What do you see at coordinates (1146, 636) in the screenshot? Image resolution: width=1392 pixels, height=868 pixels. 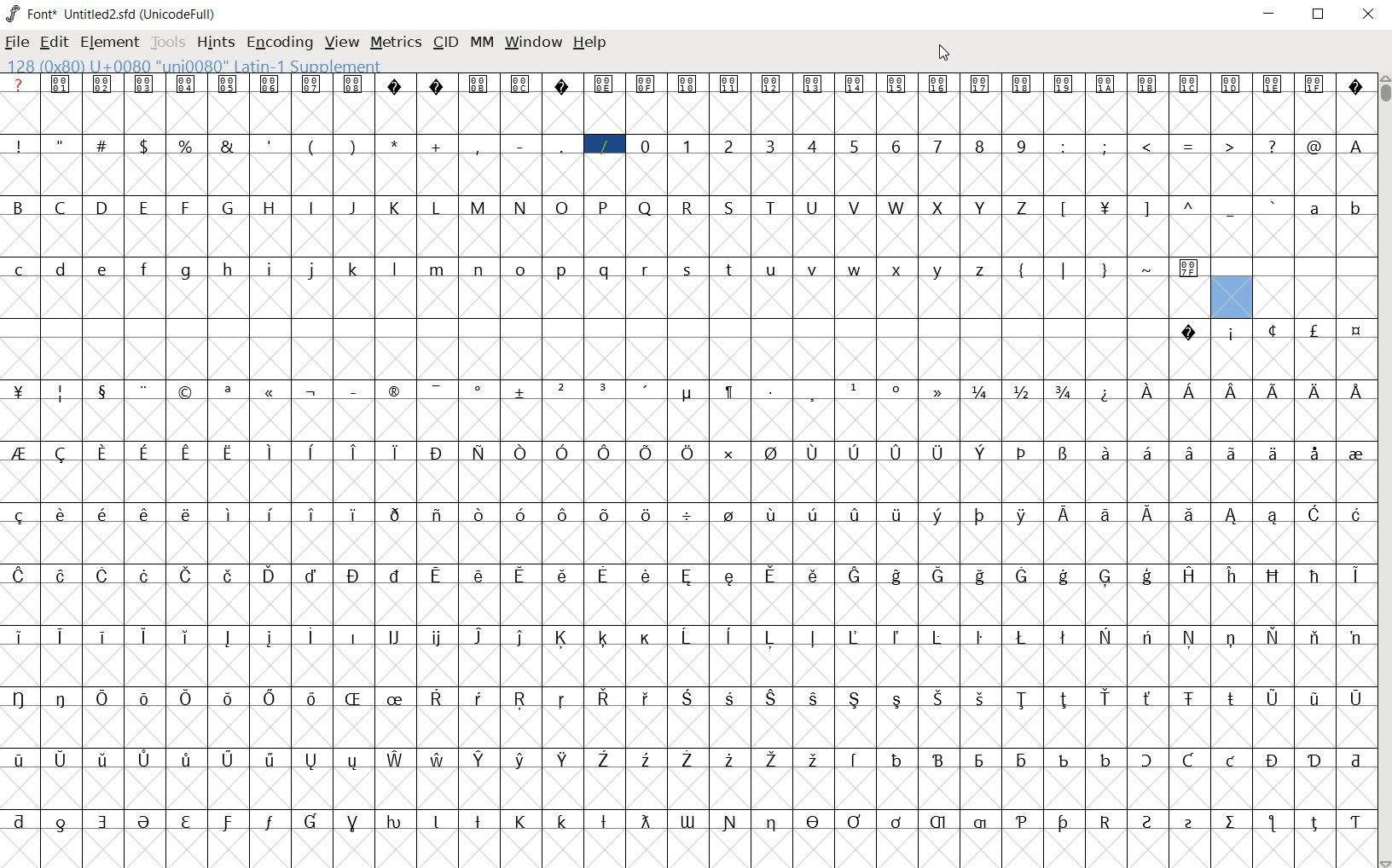 I see `glyph` at bounding box center [1146, 636].